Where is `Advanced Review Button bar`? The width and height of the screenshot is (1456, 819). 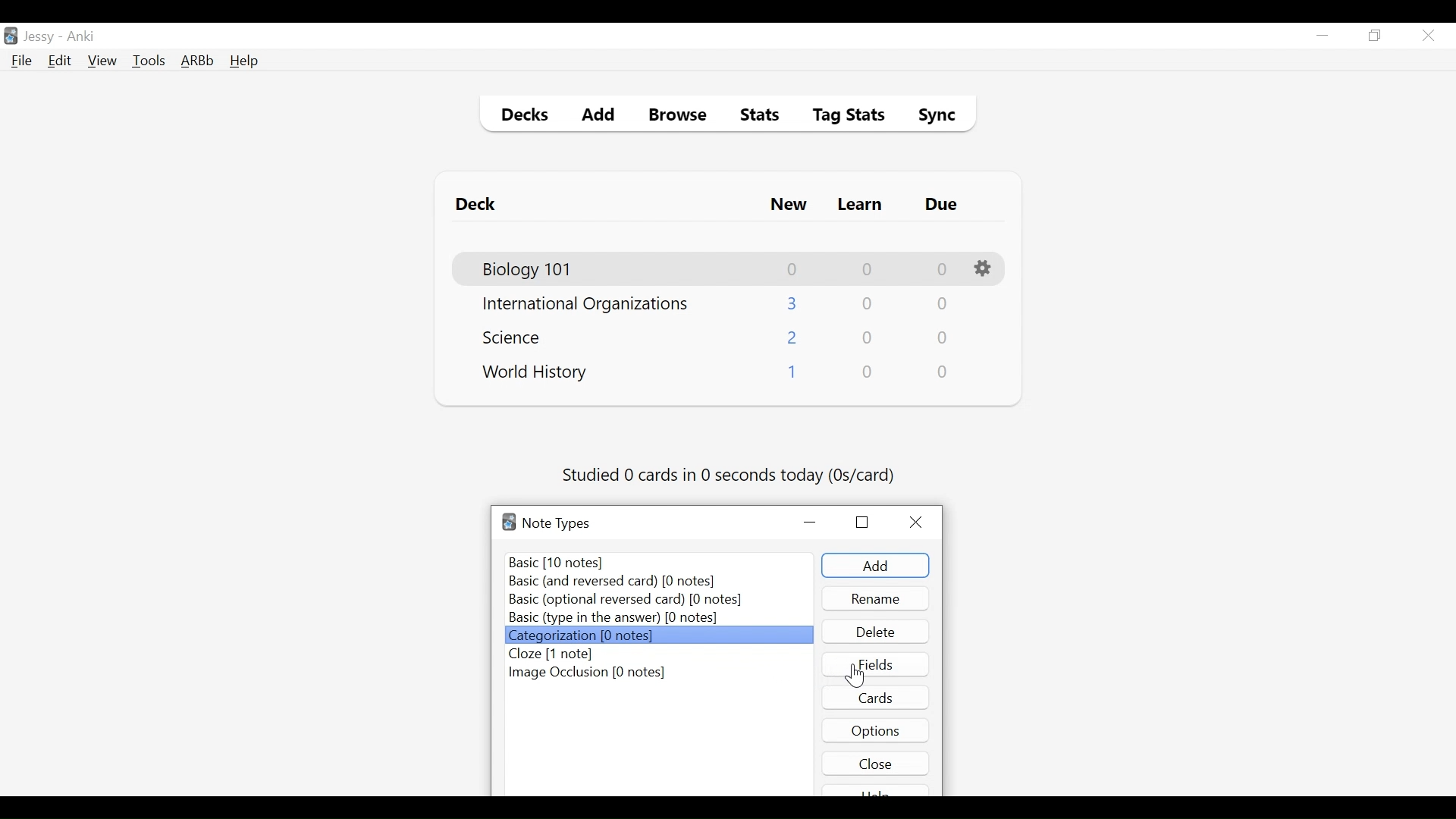 Advanced Review Button bar is located at coordinates (198, 61).